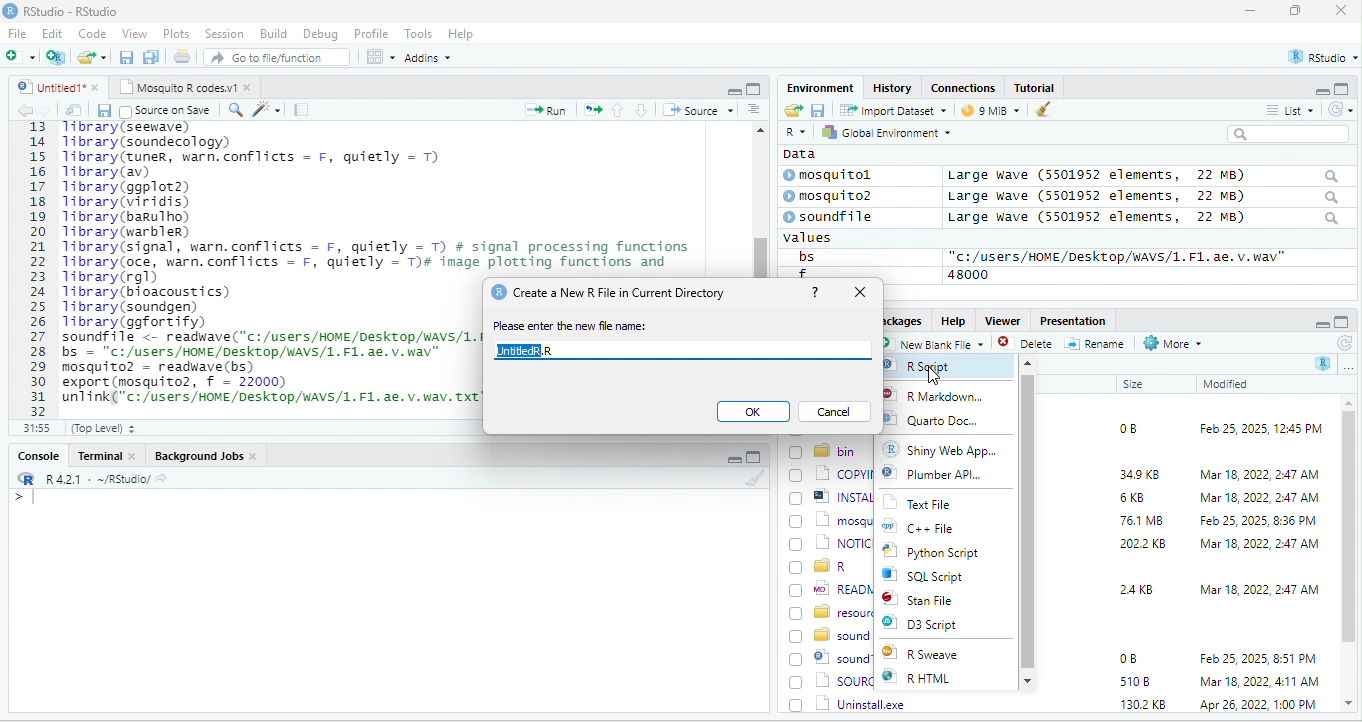 The width and height of the screenshot is (1362, 722). What do you see at coordinates (571, 326) in the screenshot?
I see `Please enter the new file name:` at bounding box center [571, 326].